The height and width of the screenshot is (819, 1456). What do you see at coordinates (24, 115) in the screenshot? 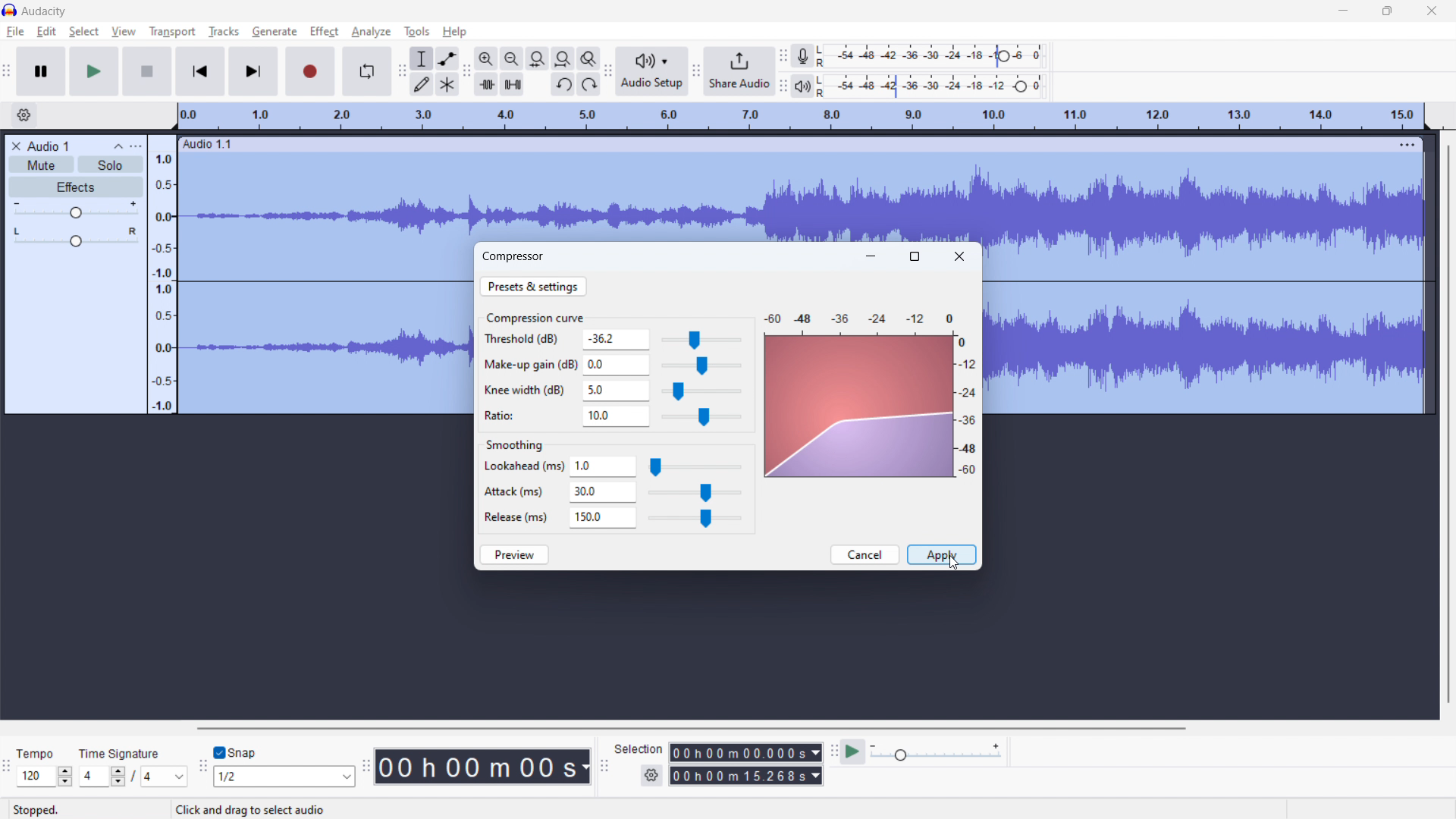
I see `timeline settings` at bounding box center [24, 115].